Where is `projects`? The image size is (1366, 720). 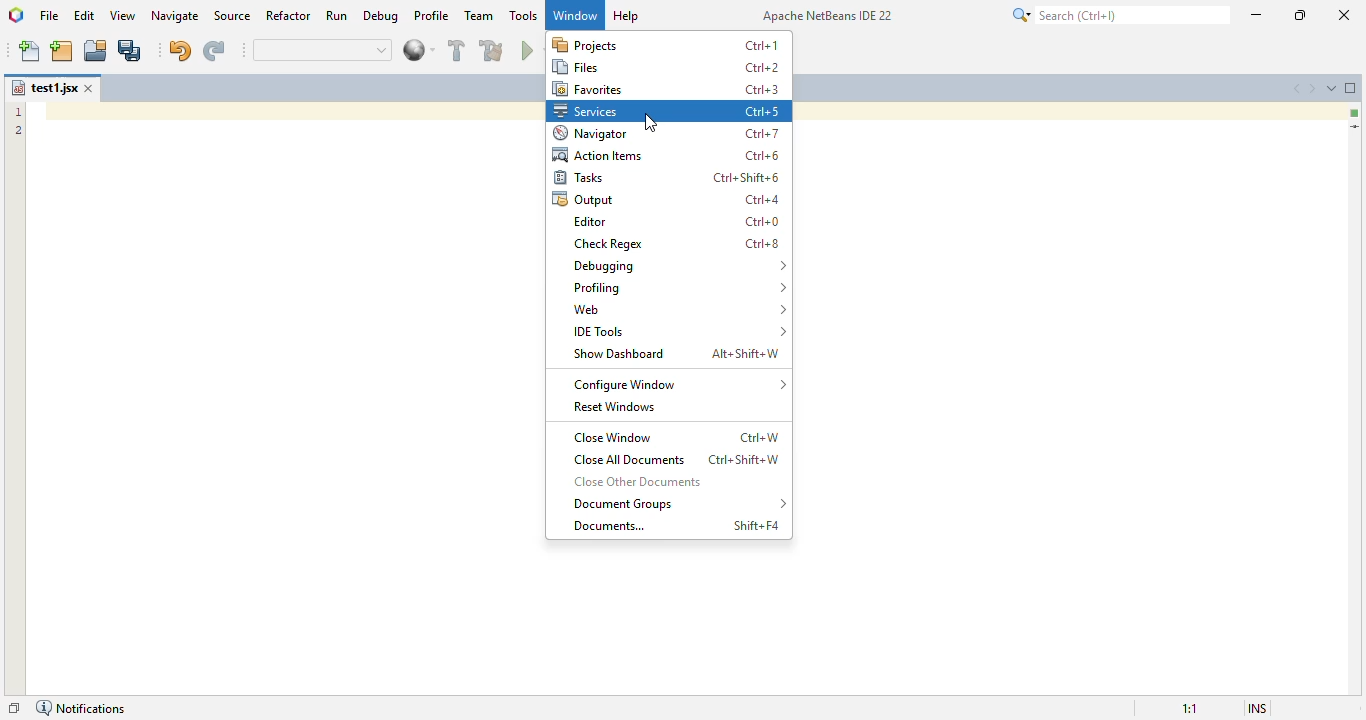
projects is located at coordinates (586, 45).